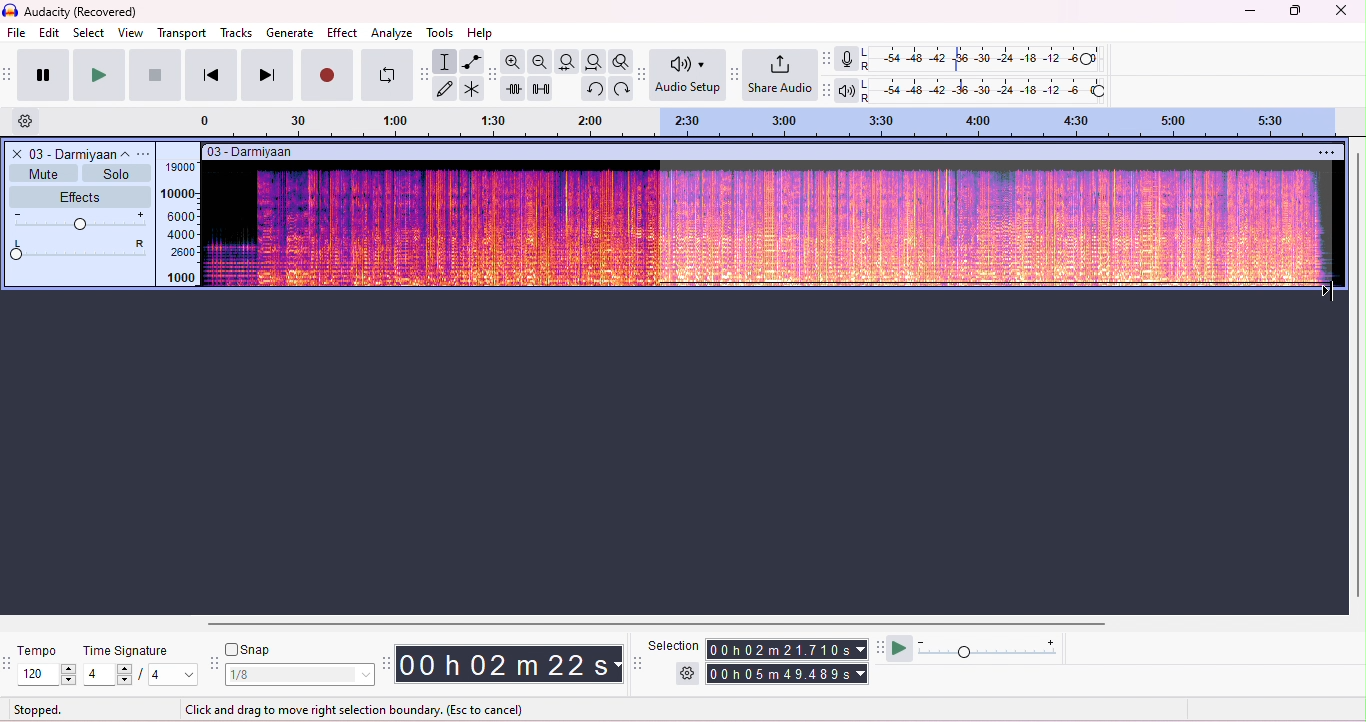 This screenshot has height=722, width=1366. Describe the element at coordinates (142, 674) in the screenshot. I see `select time signature` at that location.